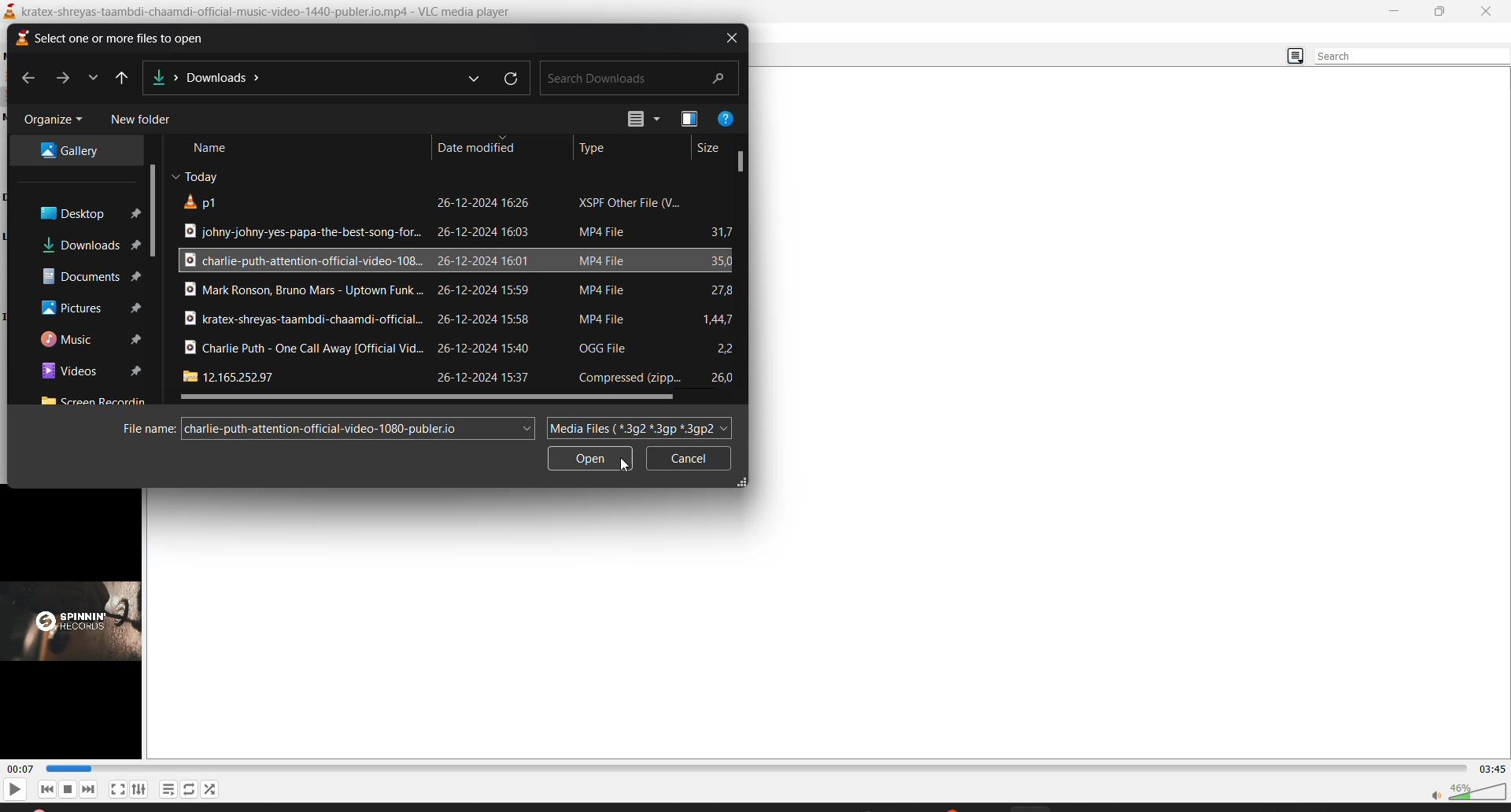 The height and width of the screenshot is (812, 1511). I want to click on file title, so click(297, 233).